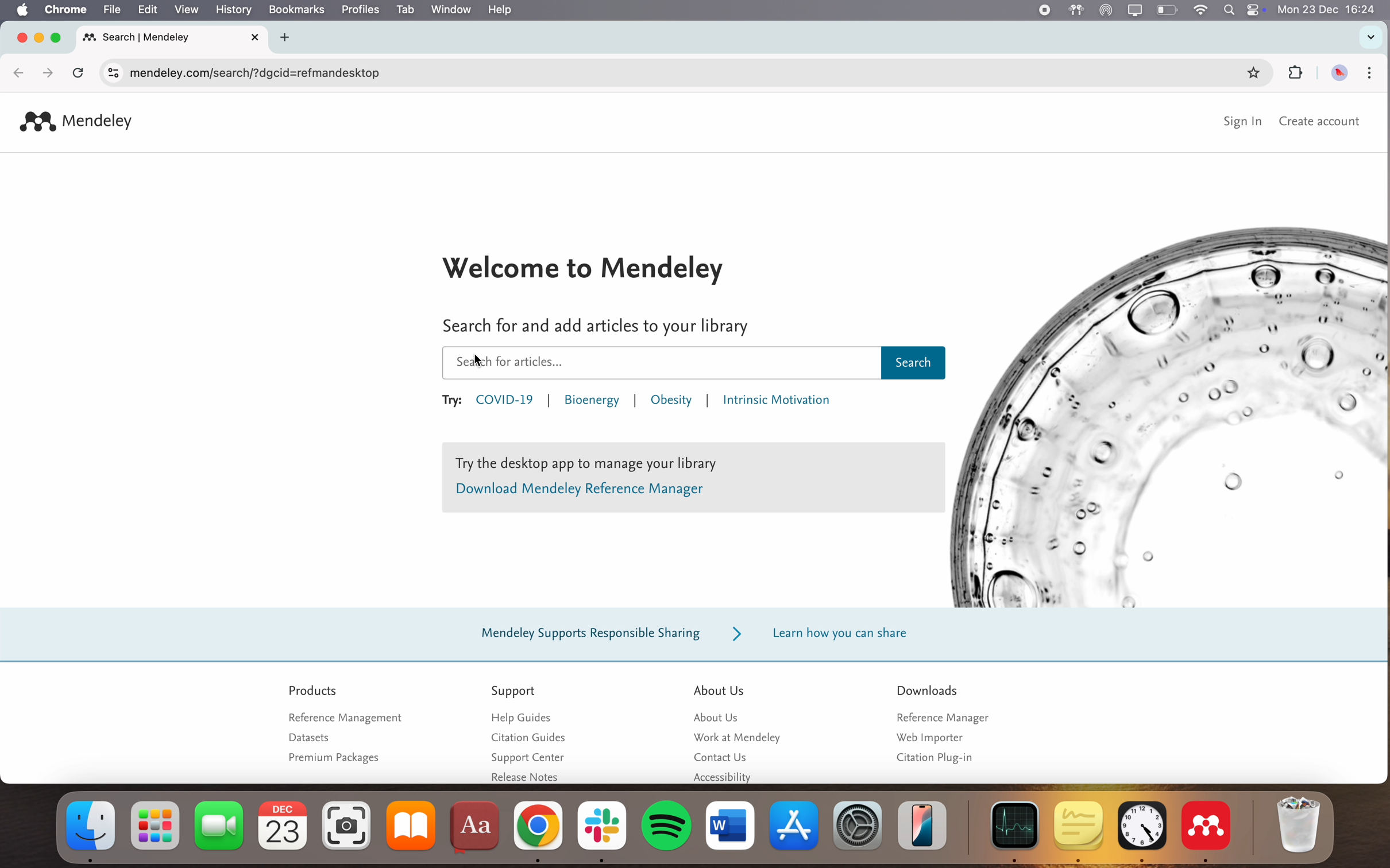 The image size is (1390, 868). I want to click on support center, so click(527, 757).